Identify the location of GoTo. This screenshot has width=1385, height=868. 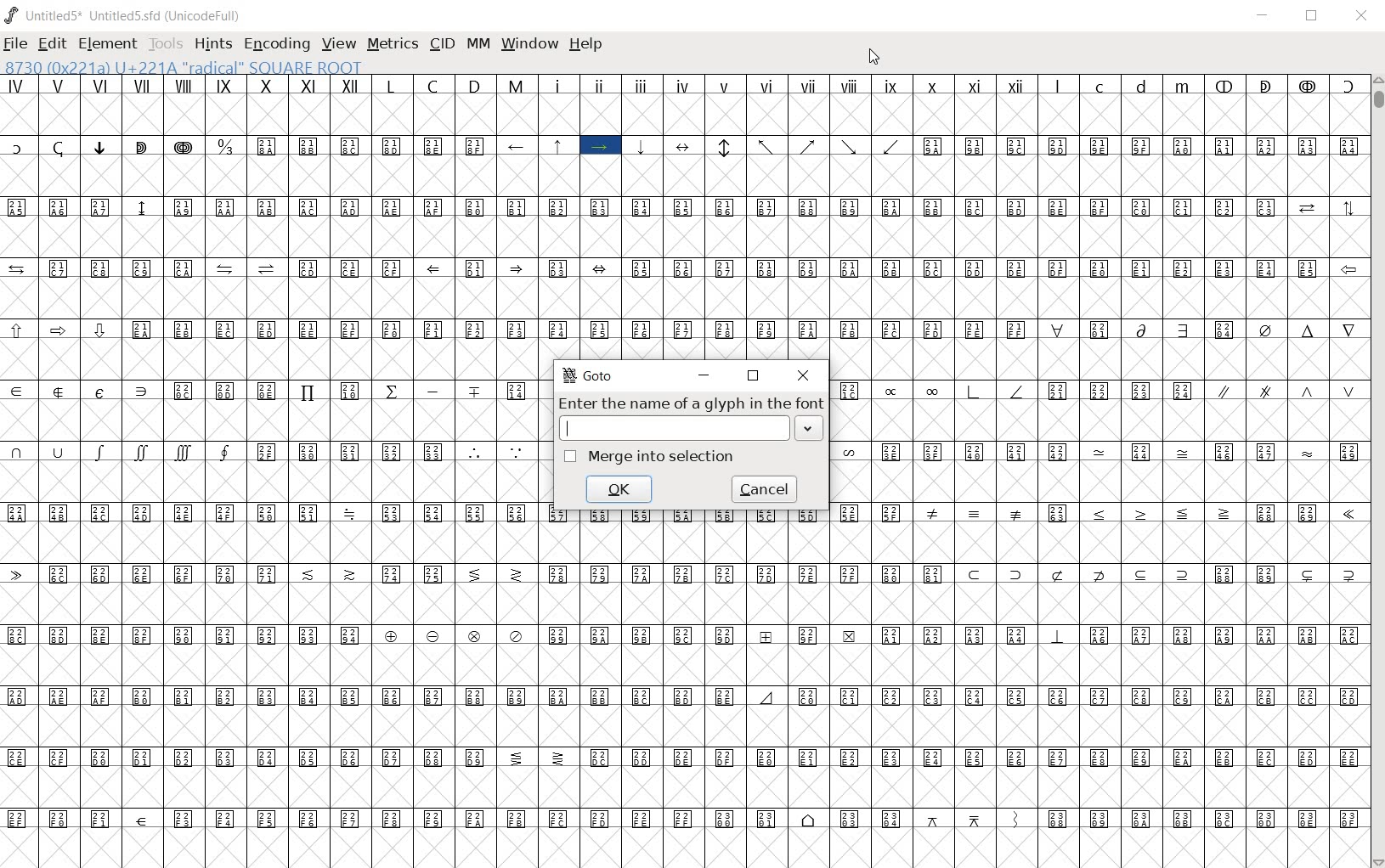
(589, 376).